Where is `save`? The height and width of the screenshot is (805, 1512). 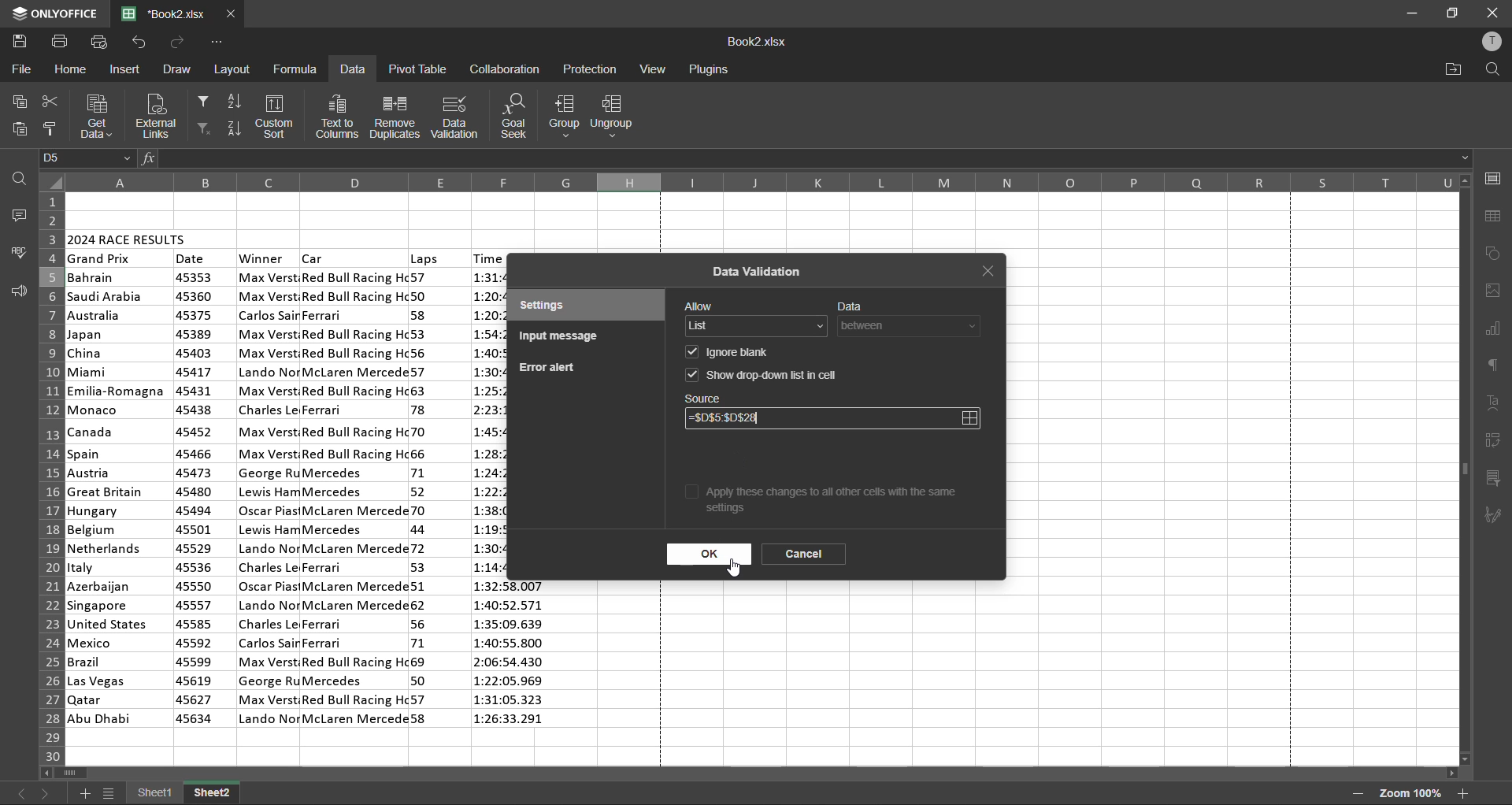 save is located at coordinates (24, 42).